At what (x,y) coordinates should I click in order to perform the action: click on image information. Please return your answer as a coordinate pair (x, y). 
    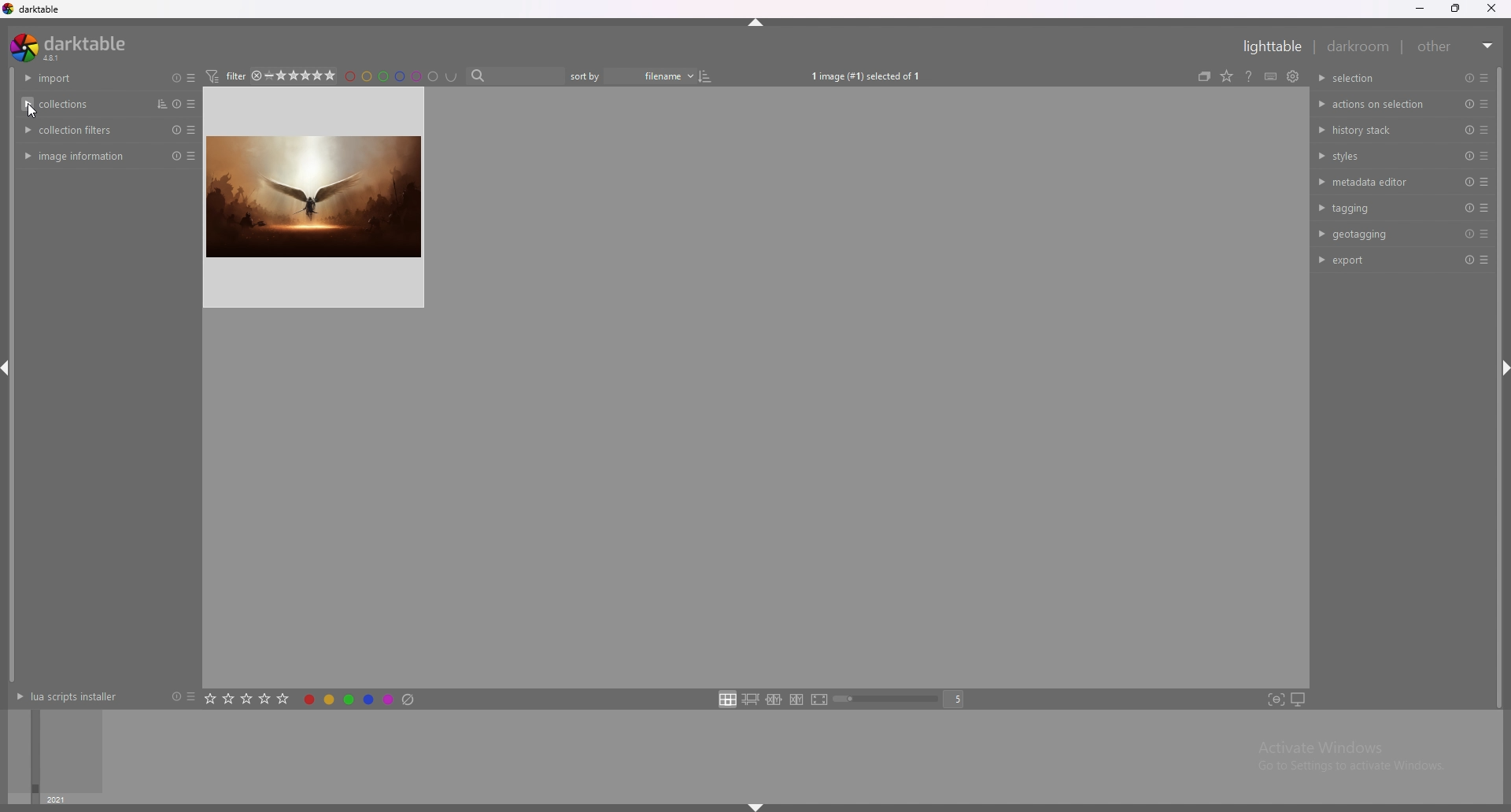
    Looking at the image, I should click on (83, 157).